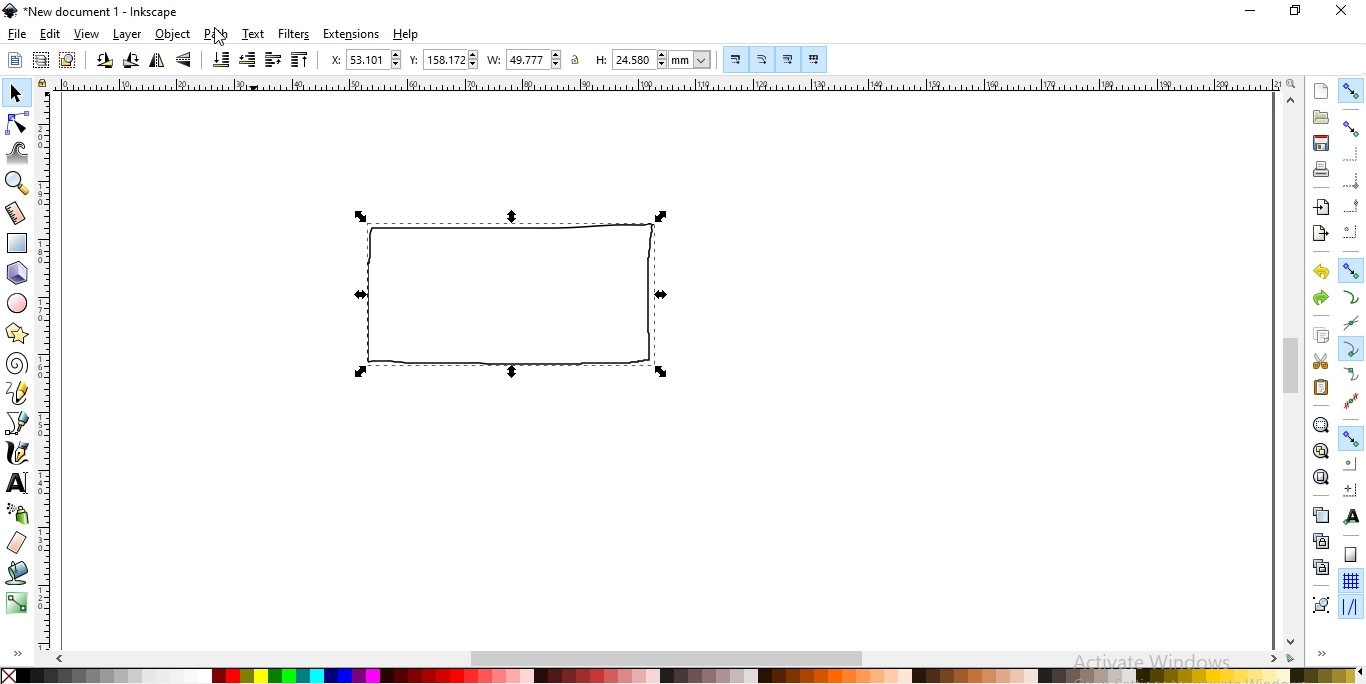  Describe the element at coordinates (1320, 144) in the screenshot. I see `save document` at that location.